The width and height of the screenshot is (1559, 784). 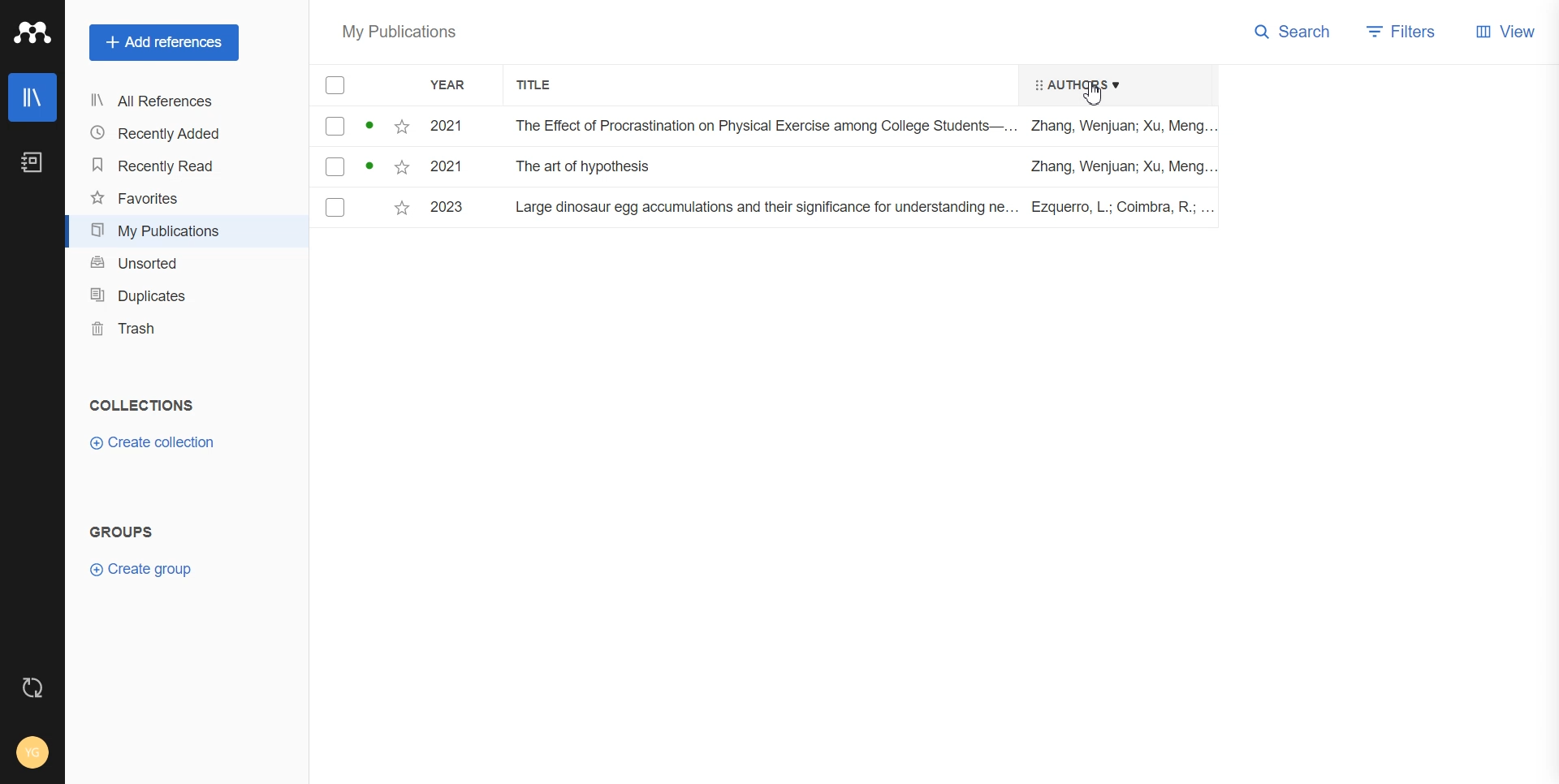 I want to click on Large dinosaur egg accumulations and their significance for understanding ne., so click(x=765, y=207).